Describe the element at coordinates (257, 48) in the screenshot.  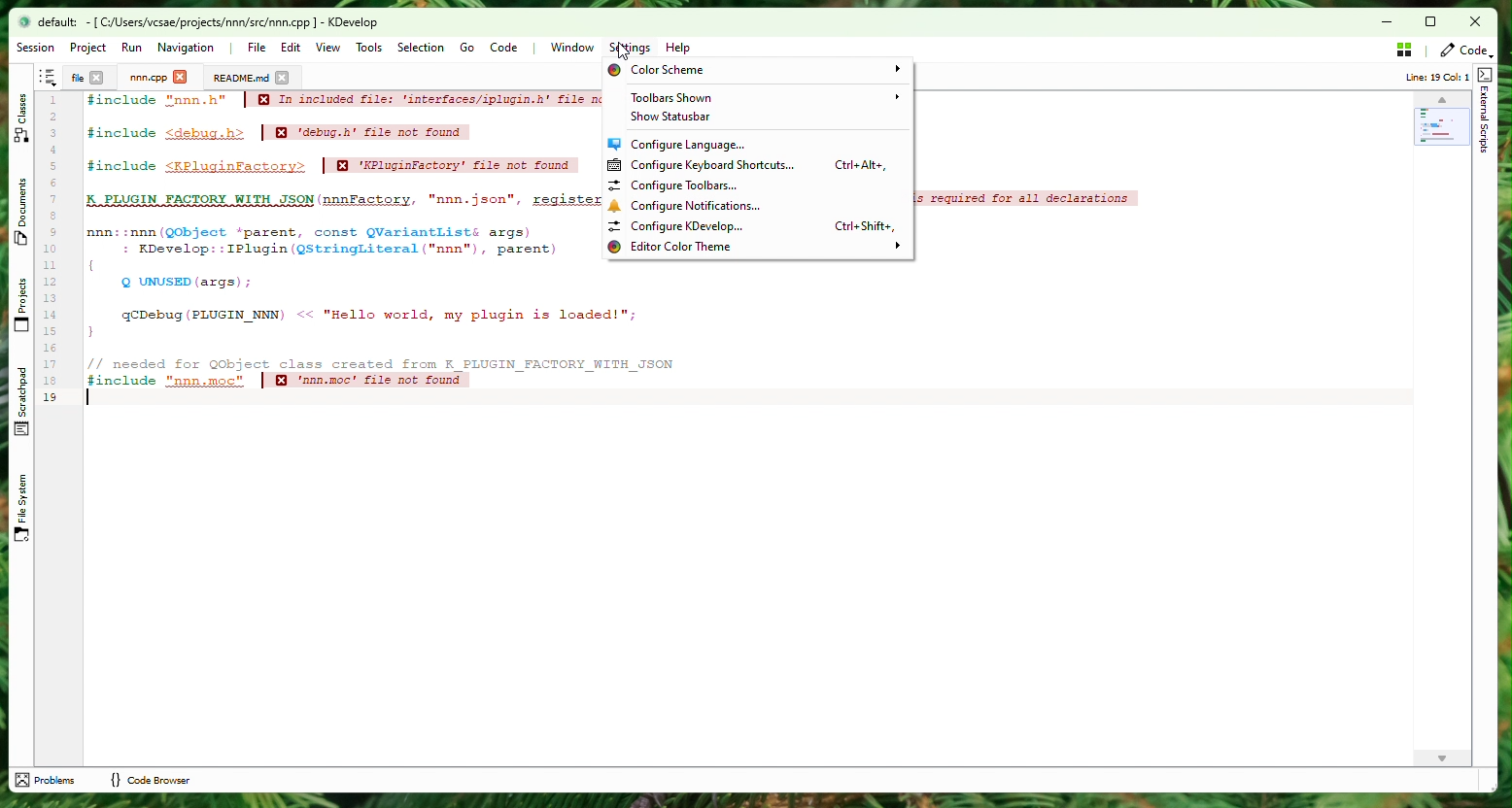
I see `File` at that location.